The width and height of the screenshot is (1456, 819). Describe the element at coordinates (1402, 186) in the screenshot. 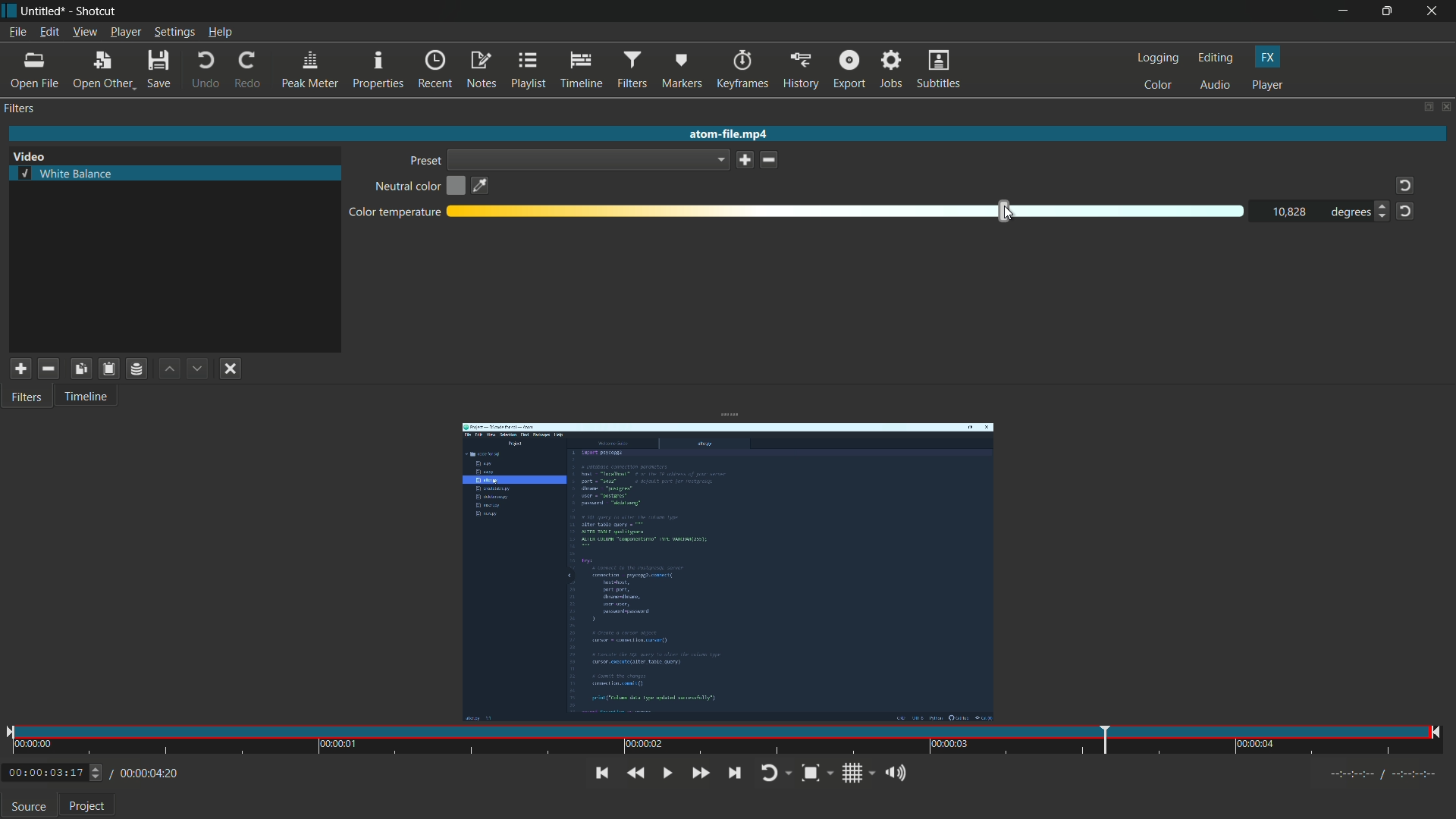

I see `reset tot default` at that location.